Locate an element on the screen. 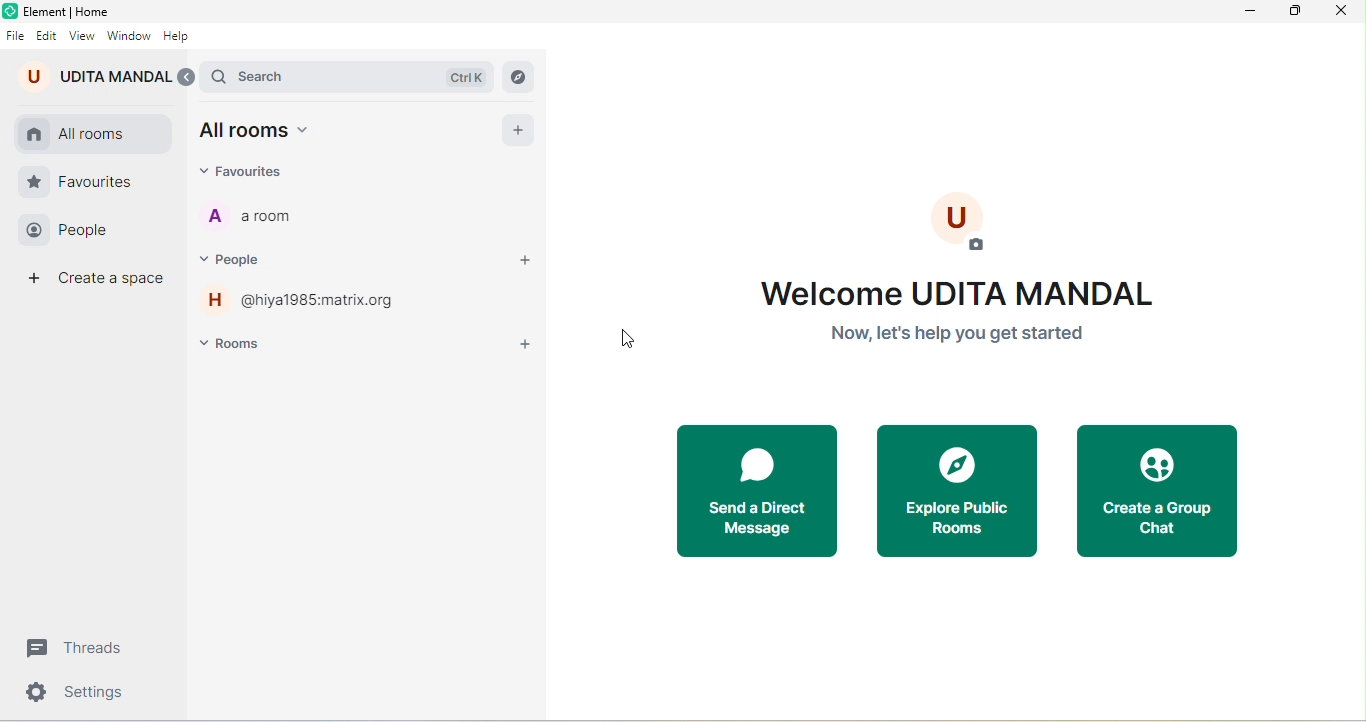 The height and width of the screenshot is (722, 1366). start a direct message is located at coordinates (757, 487).